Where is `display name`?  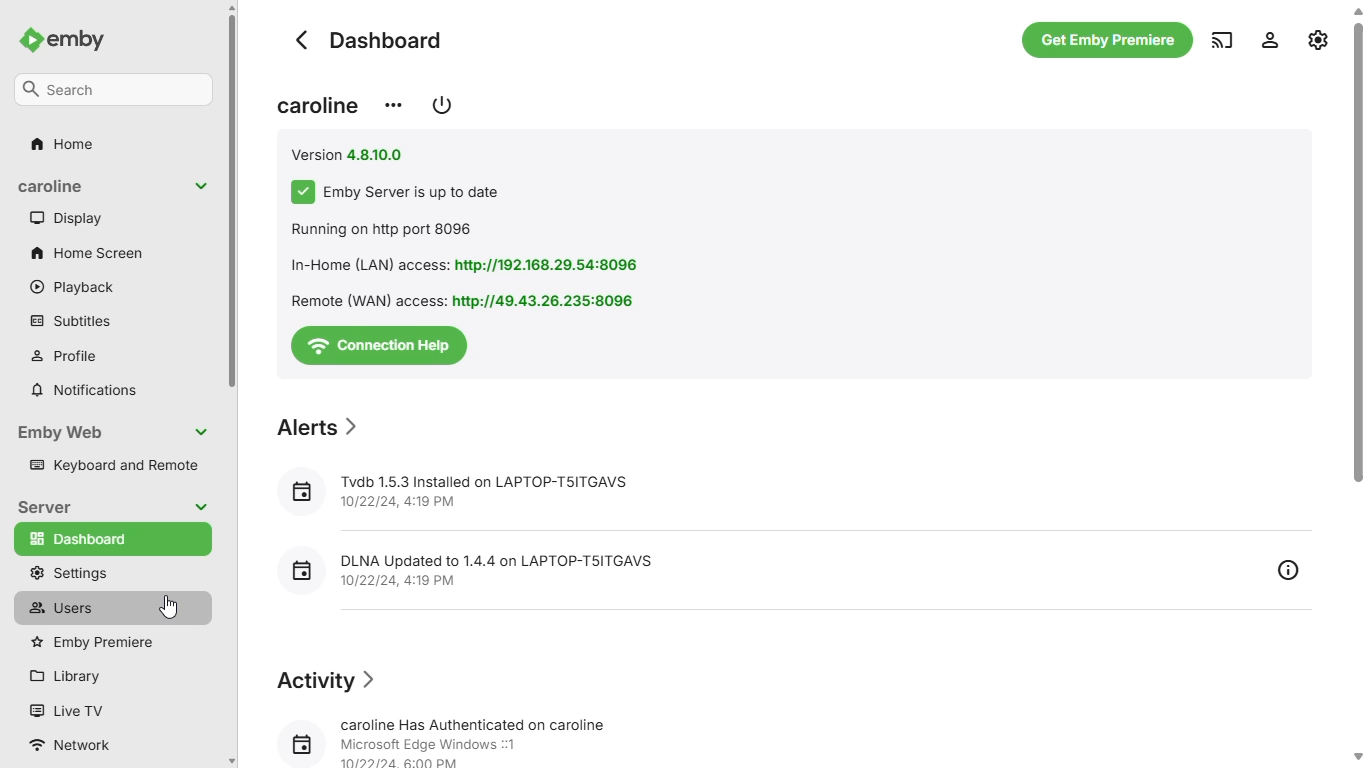 display name is located at coordinates (114, 186).